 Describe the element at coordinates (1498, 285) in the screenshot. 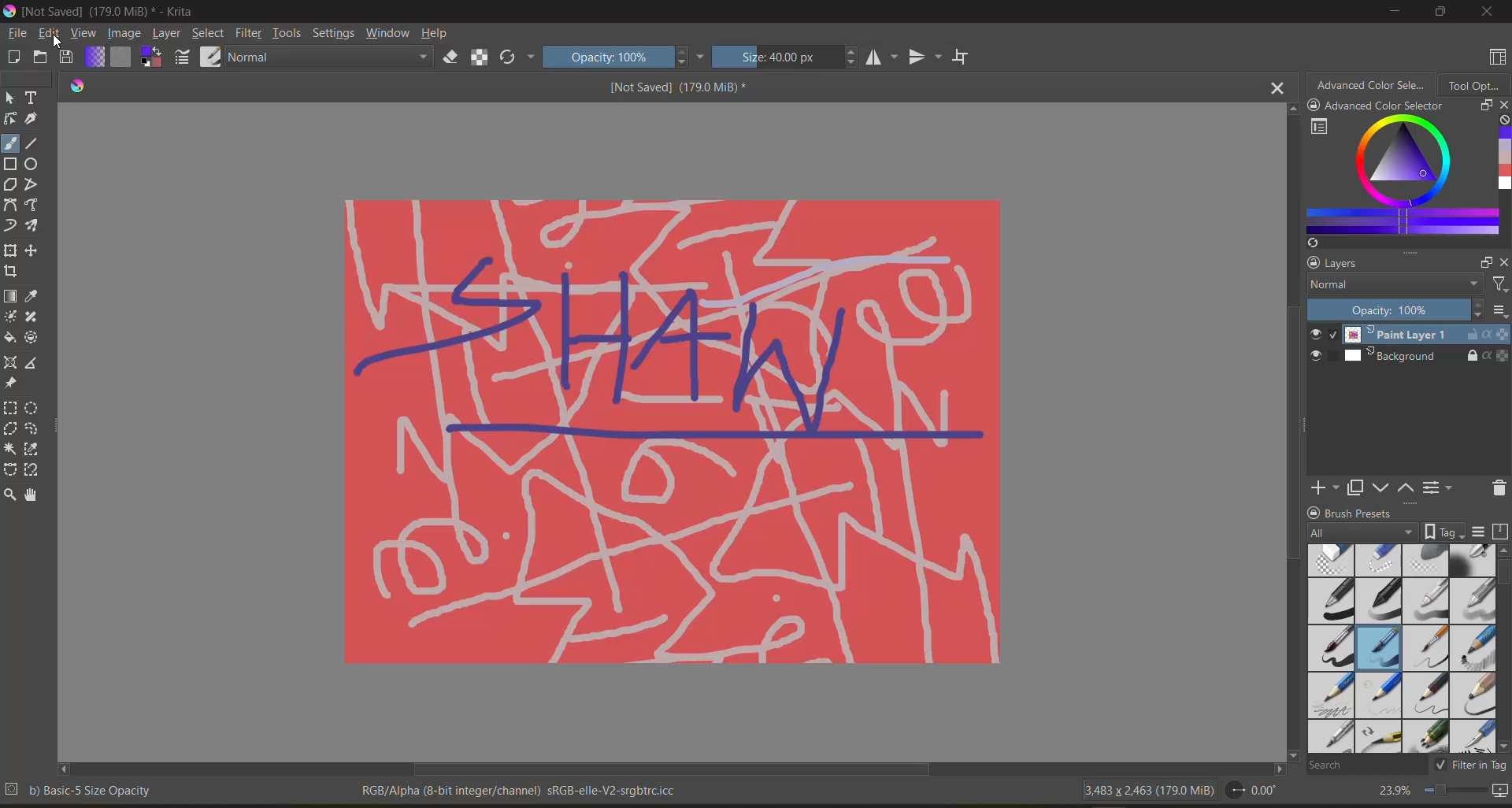

I see `filters` at that location.